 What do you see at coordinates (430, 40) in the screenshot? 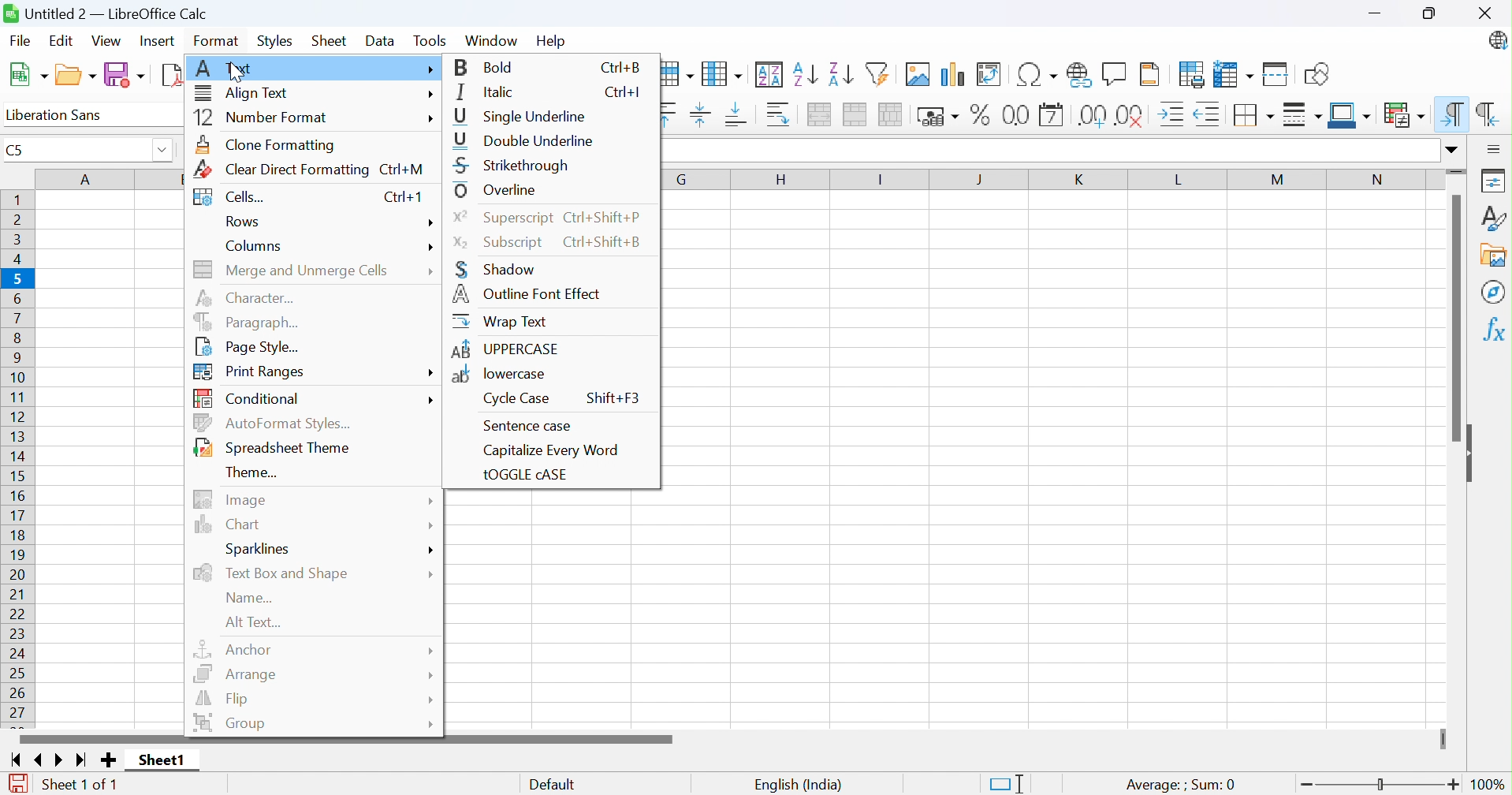
I see `Tools` at bounding box center [430, 40].